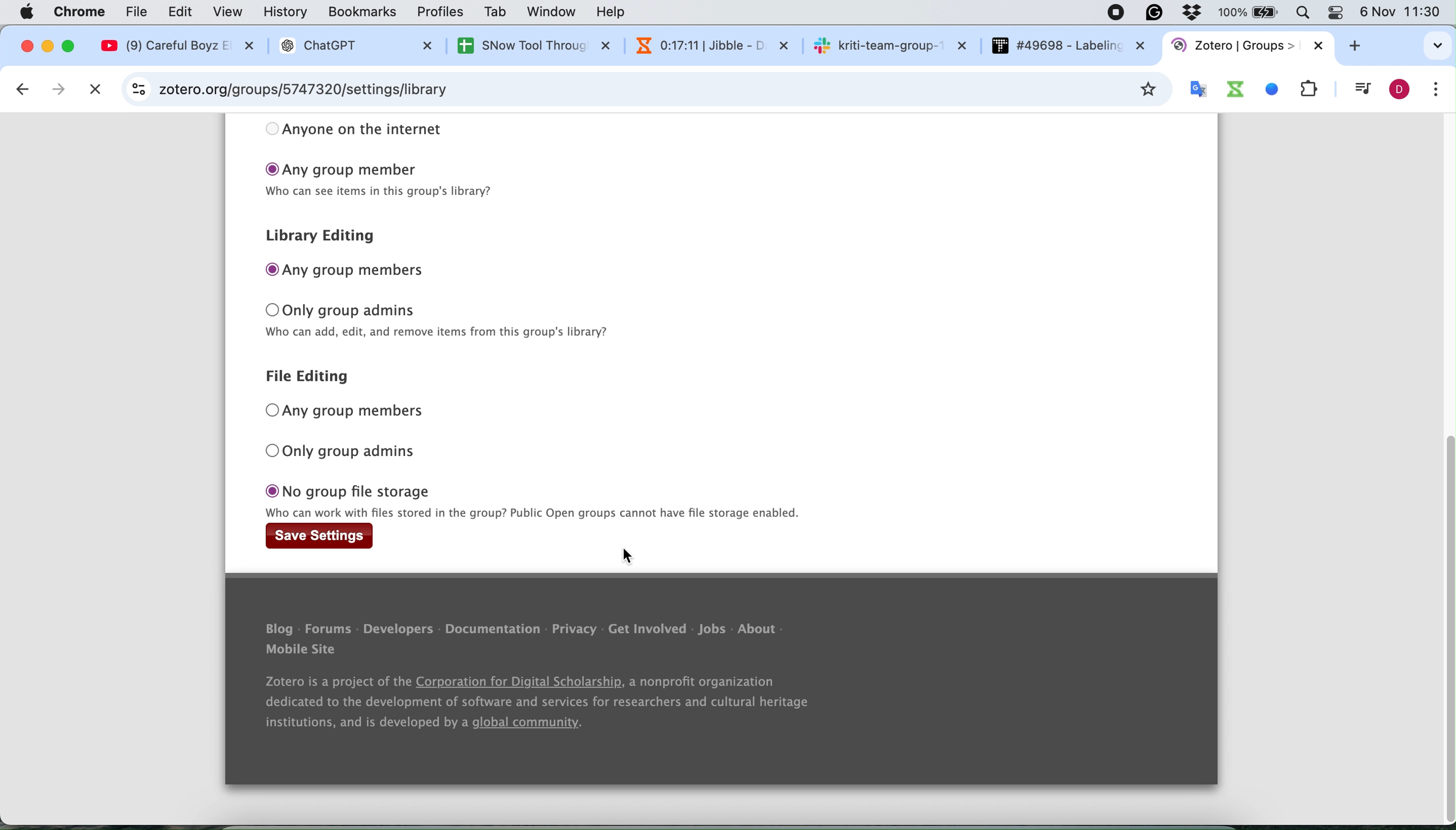  Describe the element at coordinates (1441, 90) in the screenshot. I see `customise` at that location.